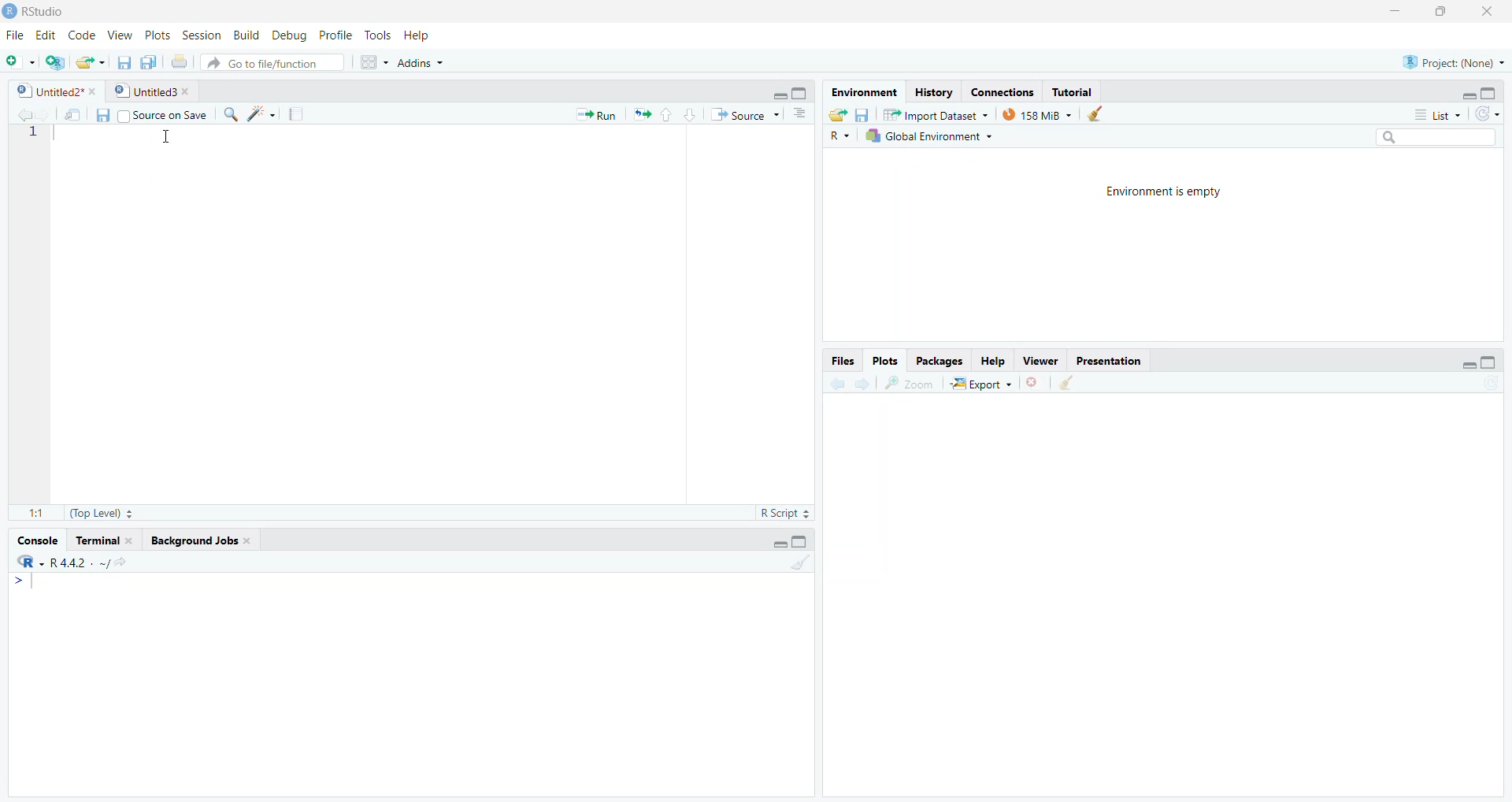 The width and height of the screenshot is (1512, 802). What do you see at coordinates (861, 384) in the screenshot?
I see `Backward` at bounding box center [861, 384].